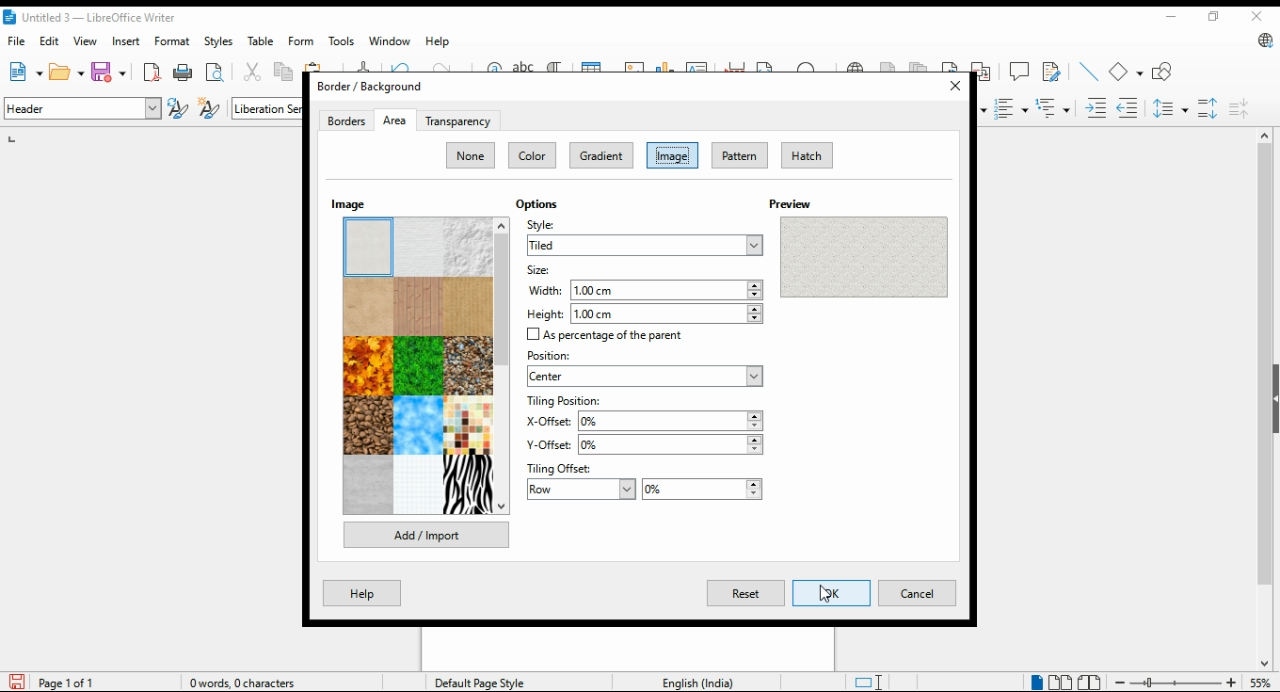 The image size is (1280, 692). What do you see at coordinates (526, 65) in the screenshot?
I see `check spelling` at bounding box center [526, 65].